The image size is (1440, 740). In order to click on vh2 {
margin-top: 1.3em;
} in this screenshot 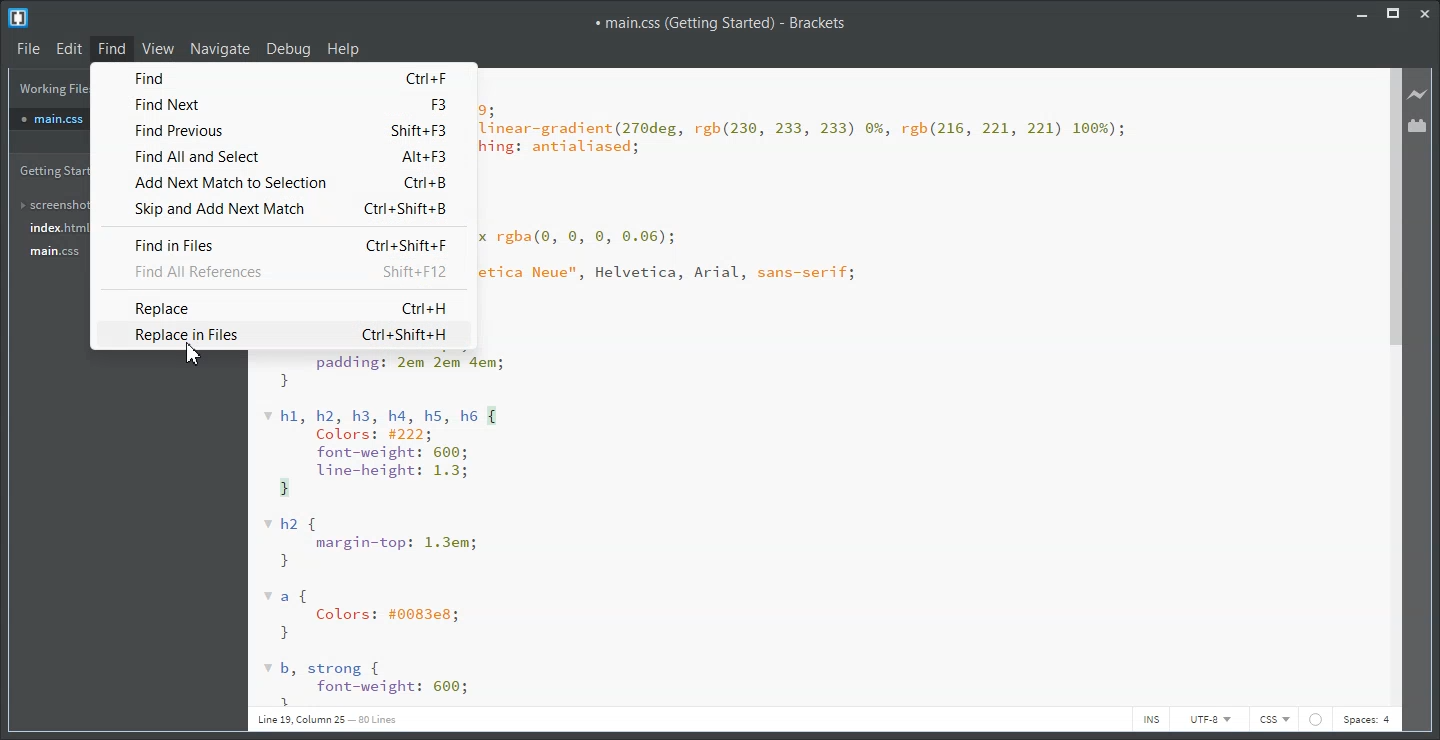, I will do `click(375, 543)`.